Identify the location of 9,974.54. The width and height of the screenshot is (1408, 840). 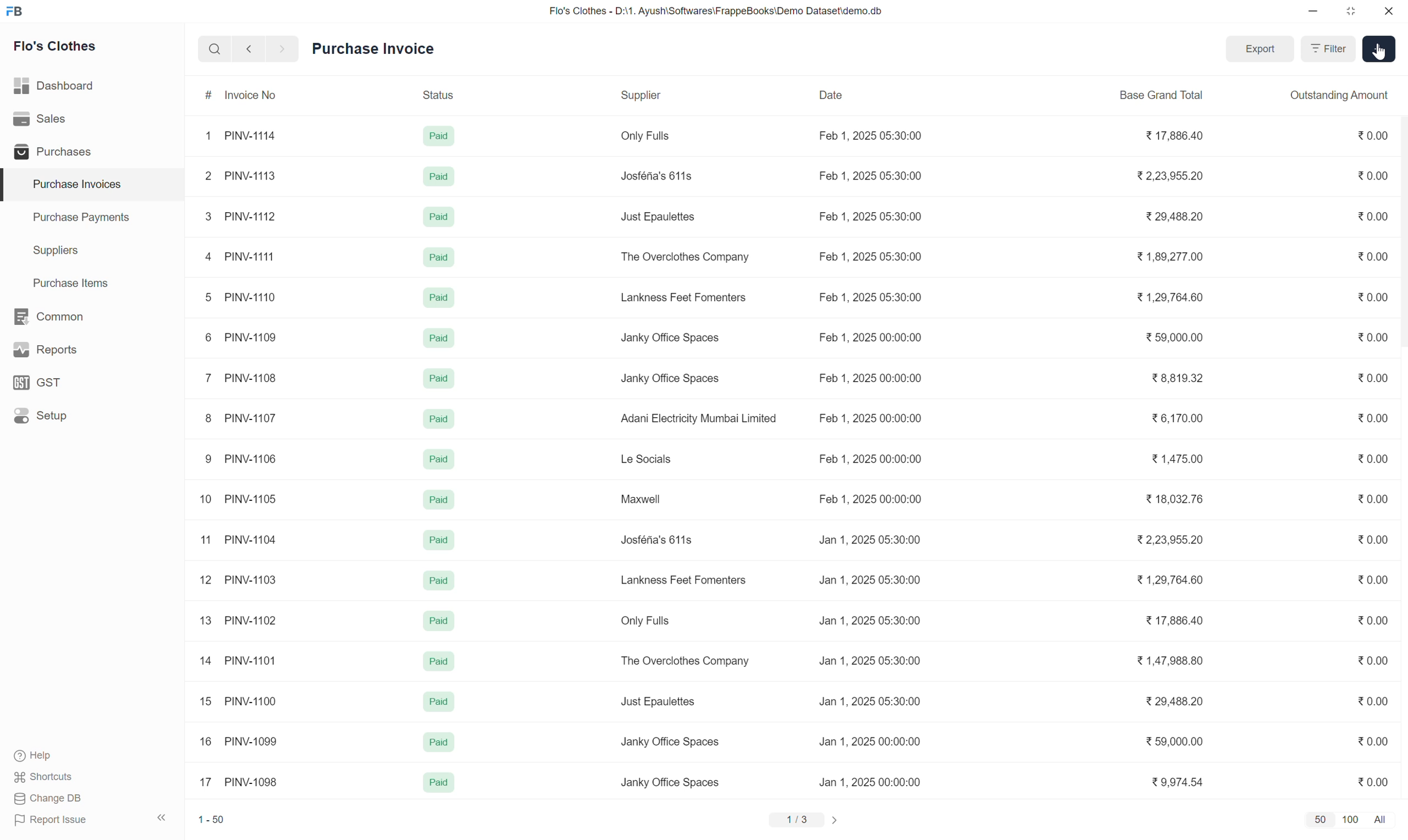
(1177, 781).